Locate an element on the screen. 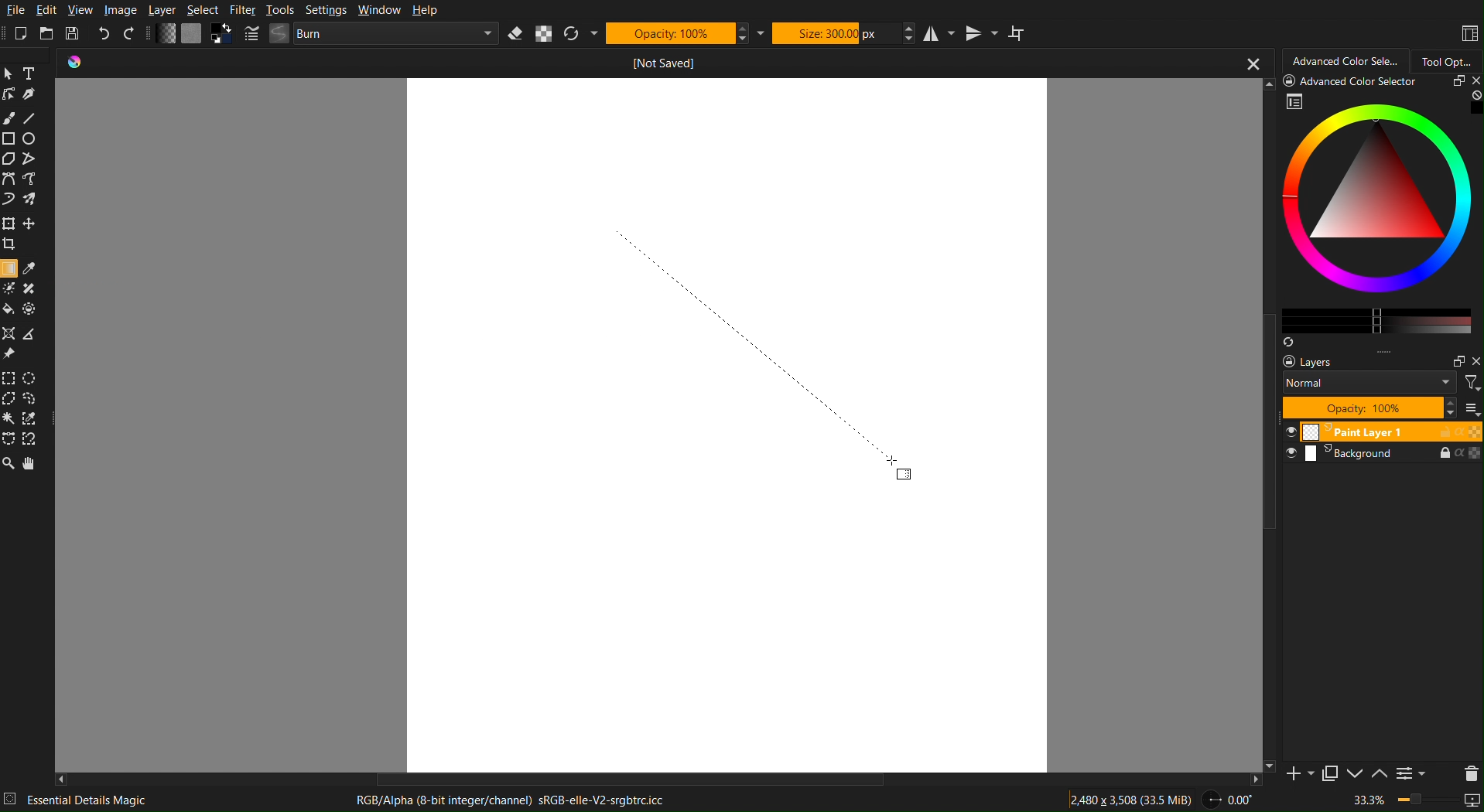 The image size is (1484, 812). Size is located at coordinates (834, 32).